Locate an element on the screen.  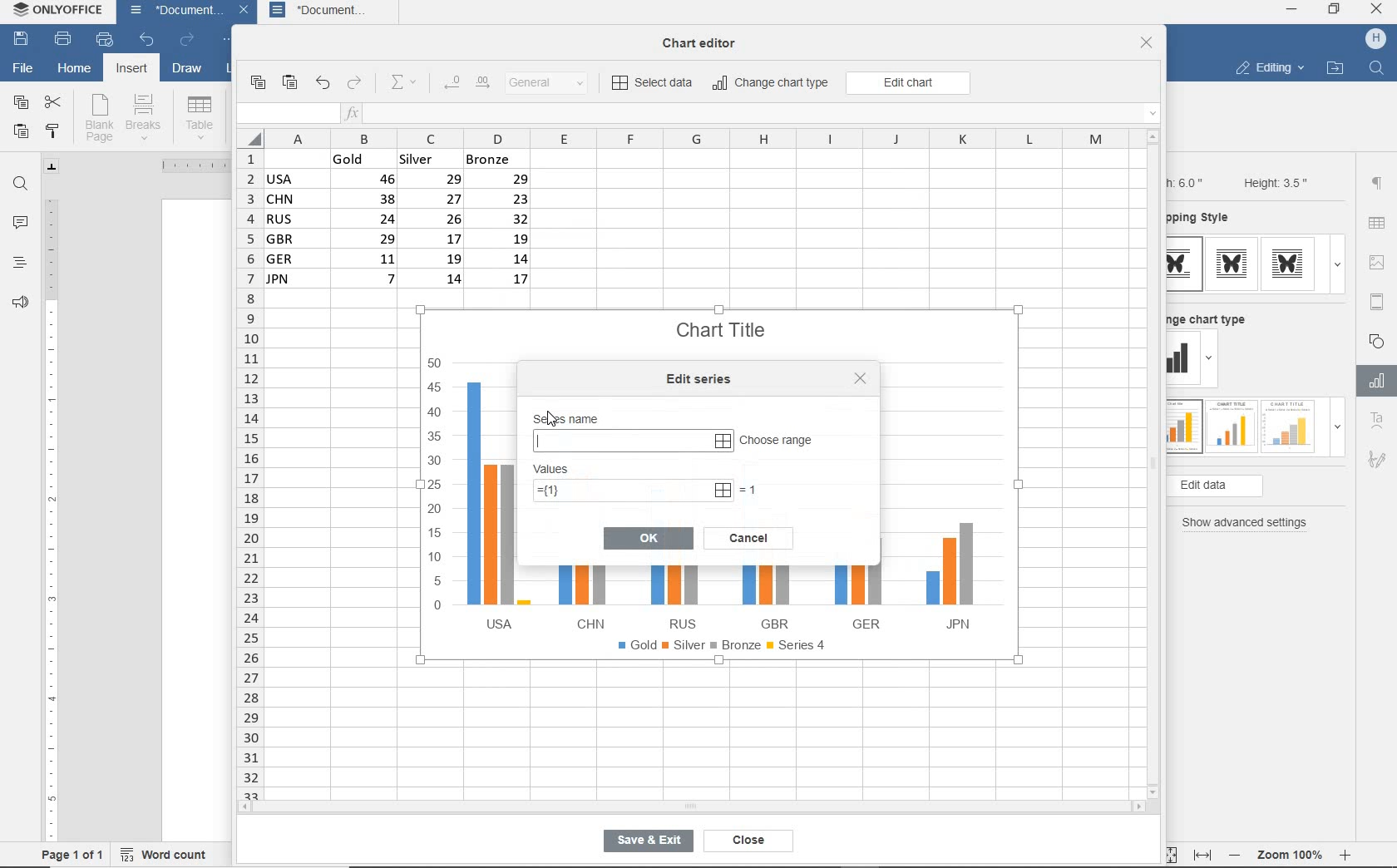
insert is located at coordinates (130, 70).